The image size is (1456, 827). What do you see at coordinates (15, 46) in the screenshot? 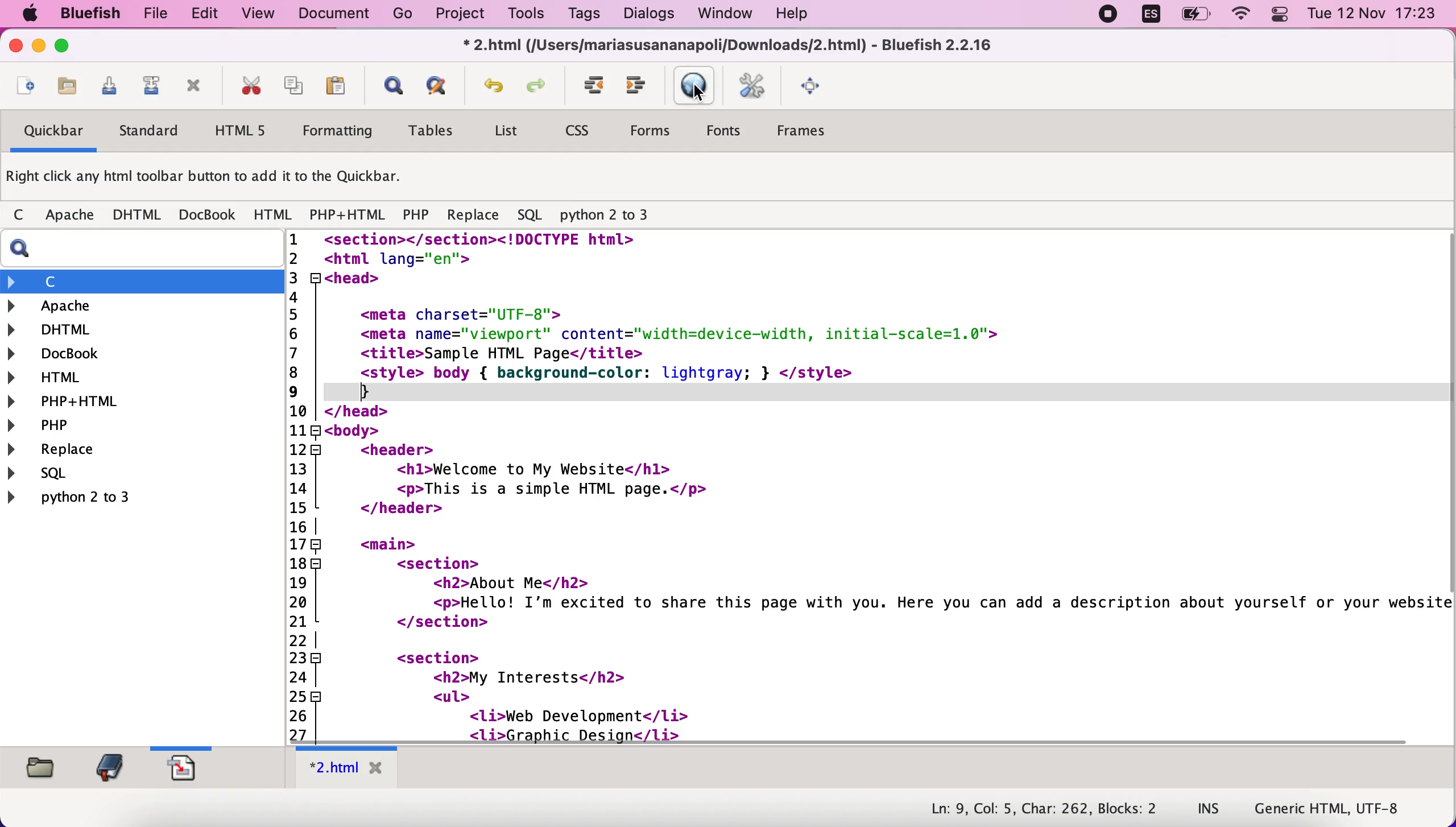
I see `close` at bounding box center [15, 46].